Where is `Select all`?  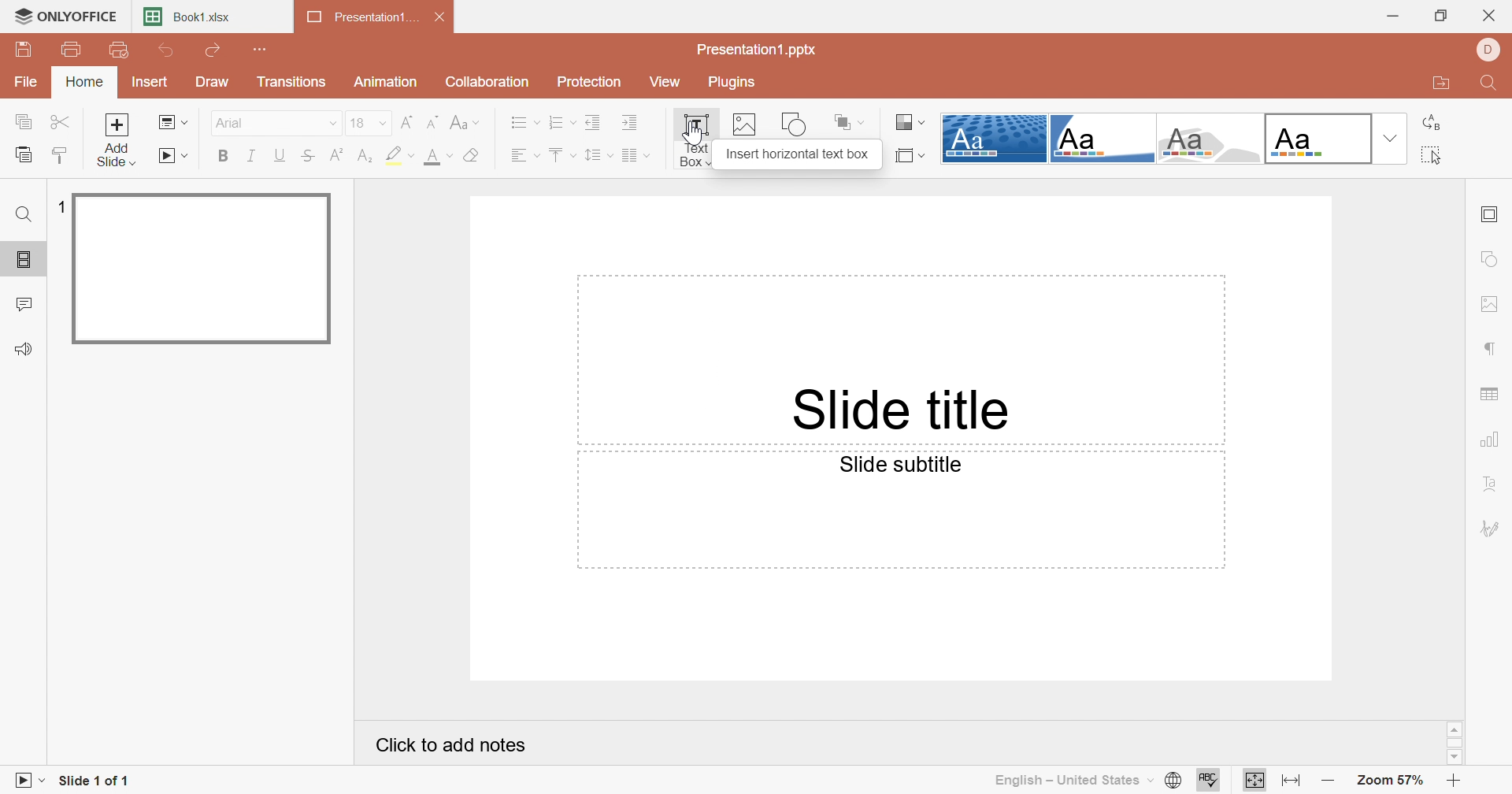 Select all is located at coordinates (1435, 155).